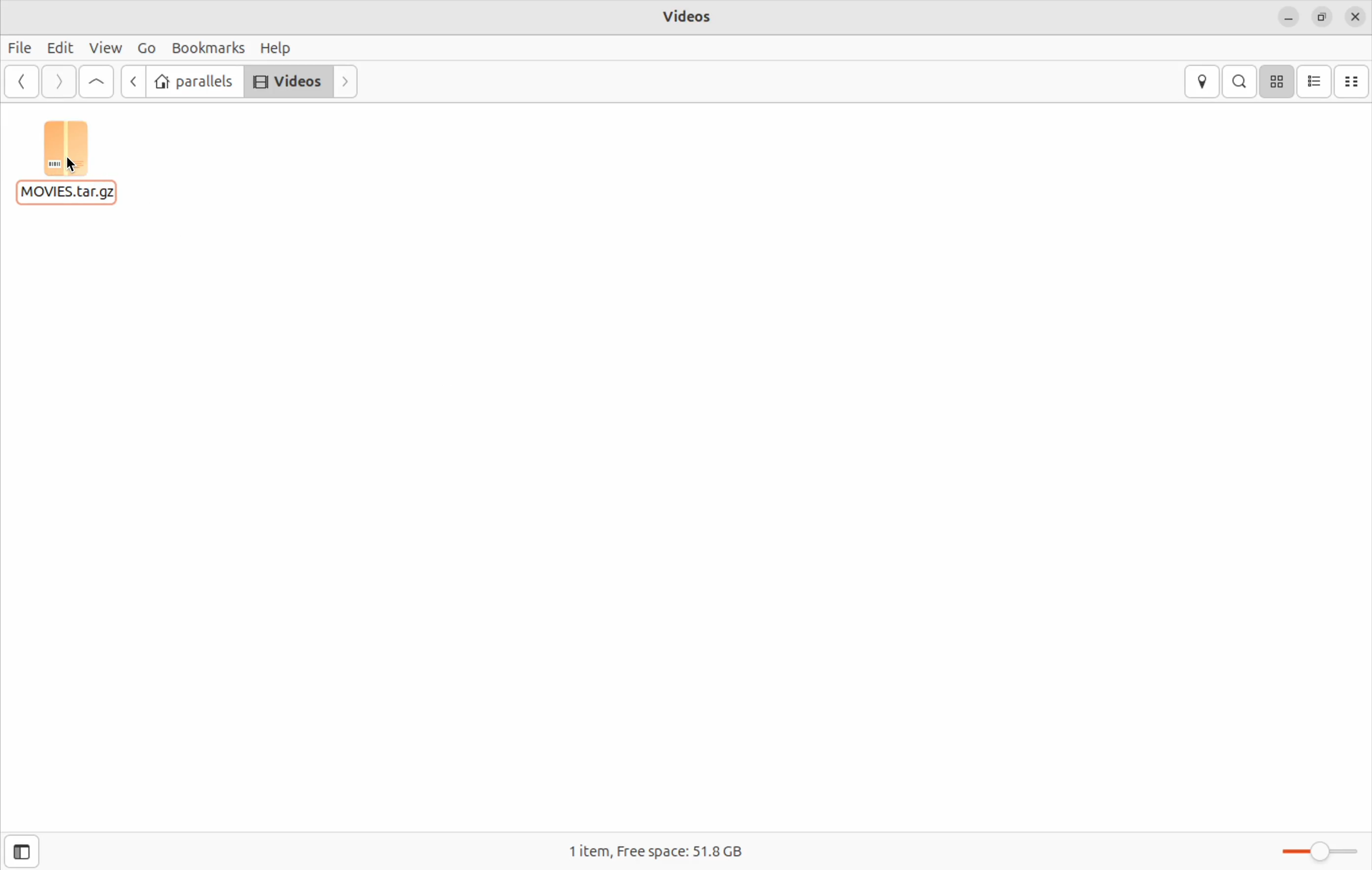 This screenshot has width=1372, height=870. What do you see at coordinates (144, 48) in the screenshot?
I see `Go` at bounding box center [144, 48].